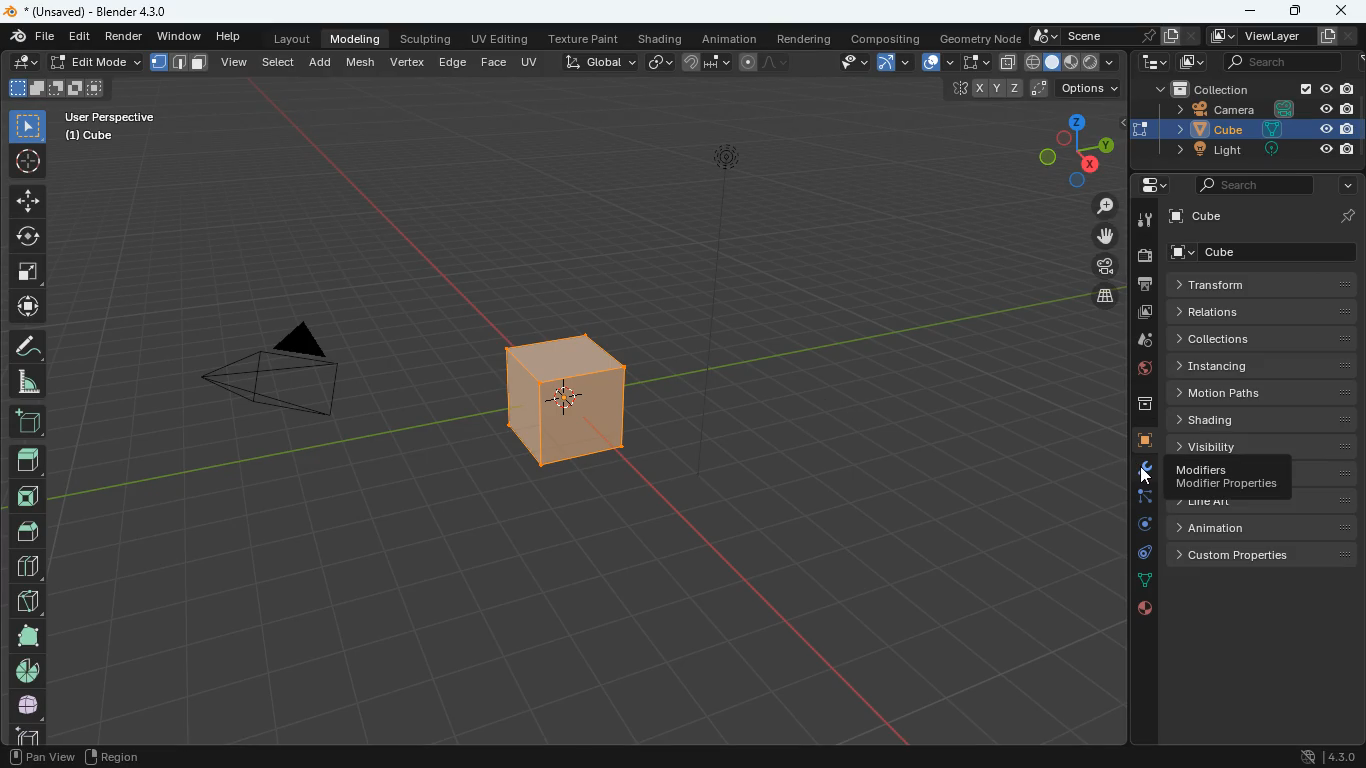  I want to click on face, so click(493, 61).